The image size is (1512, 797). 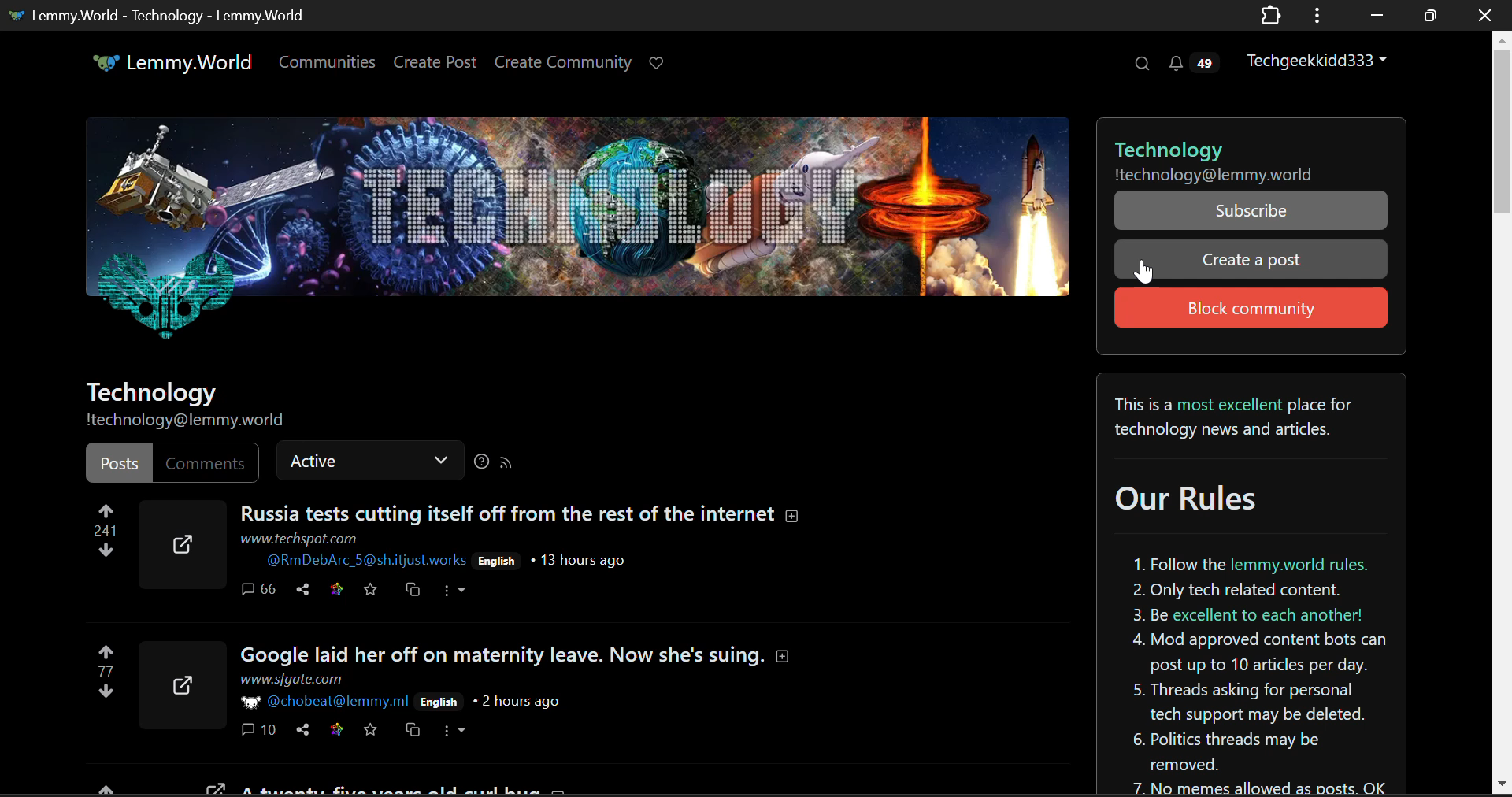 What do you see at coordinates (520, 514) in the screenshot?
I see `Russia tests cutting itself off from the restof the internet` at bounding box center [520, 514].